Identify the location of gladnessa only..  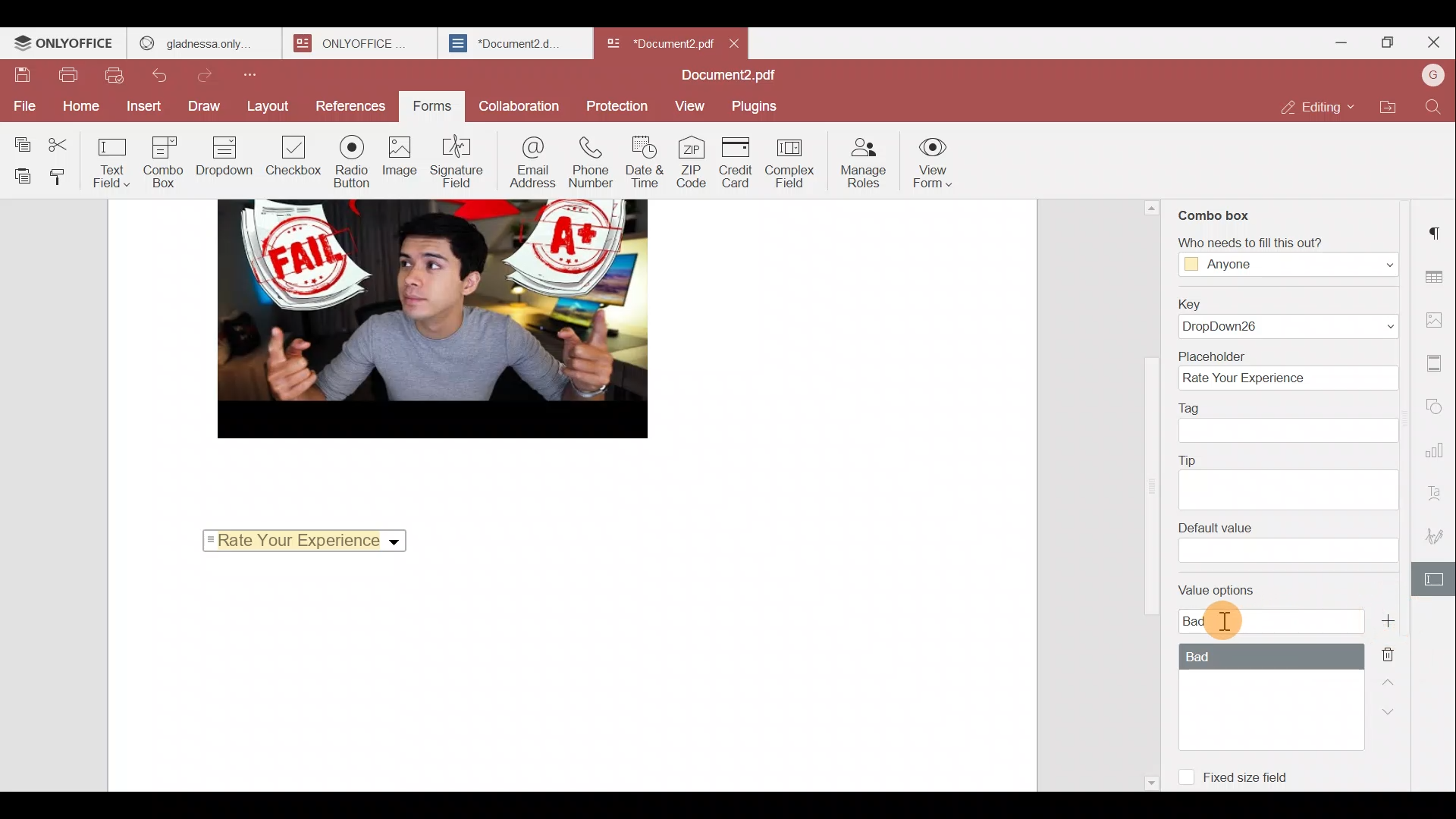
(196, 41).